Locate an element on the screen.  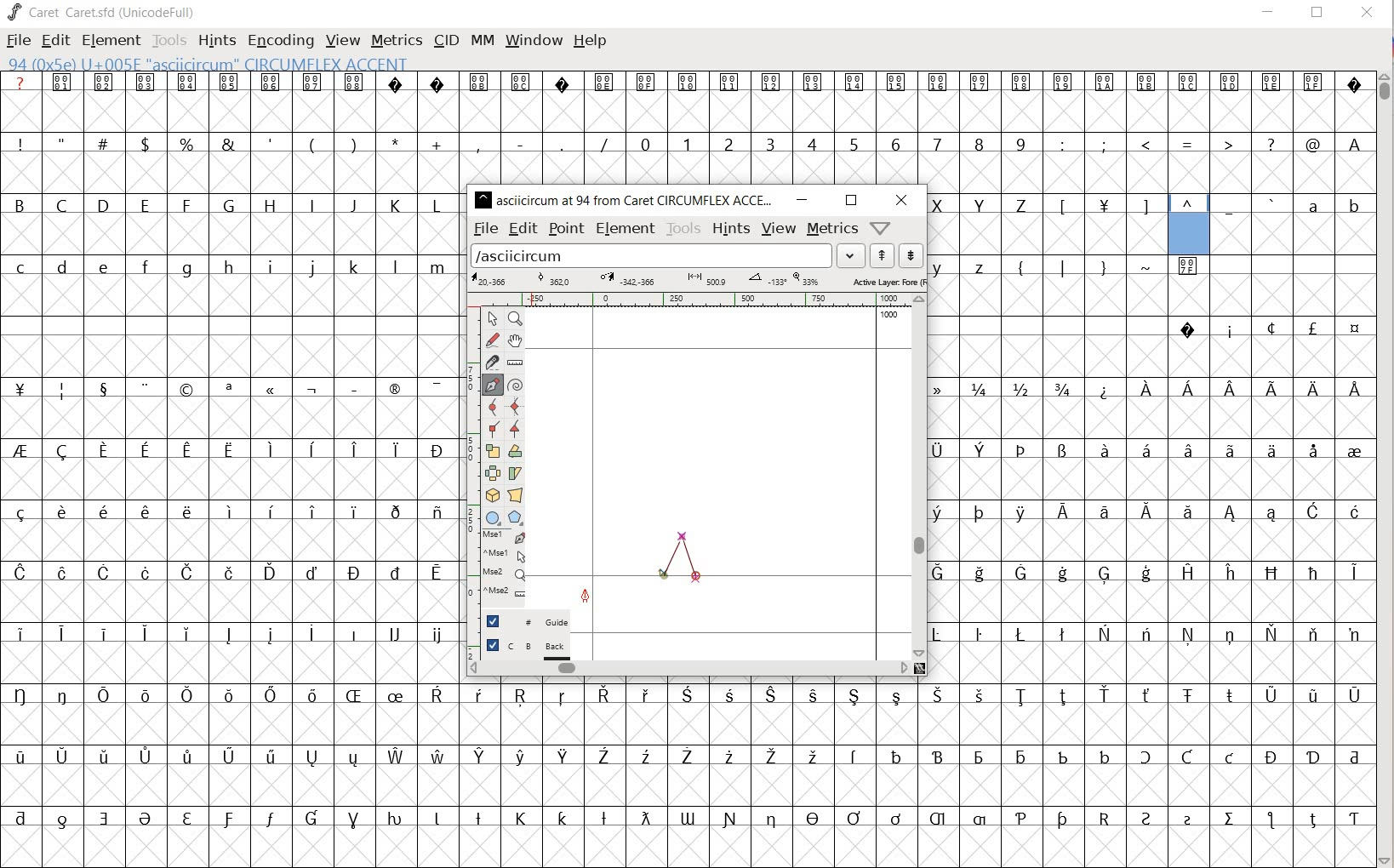
file is located at coordinates (485, 230).